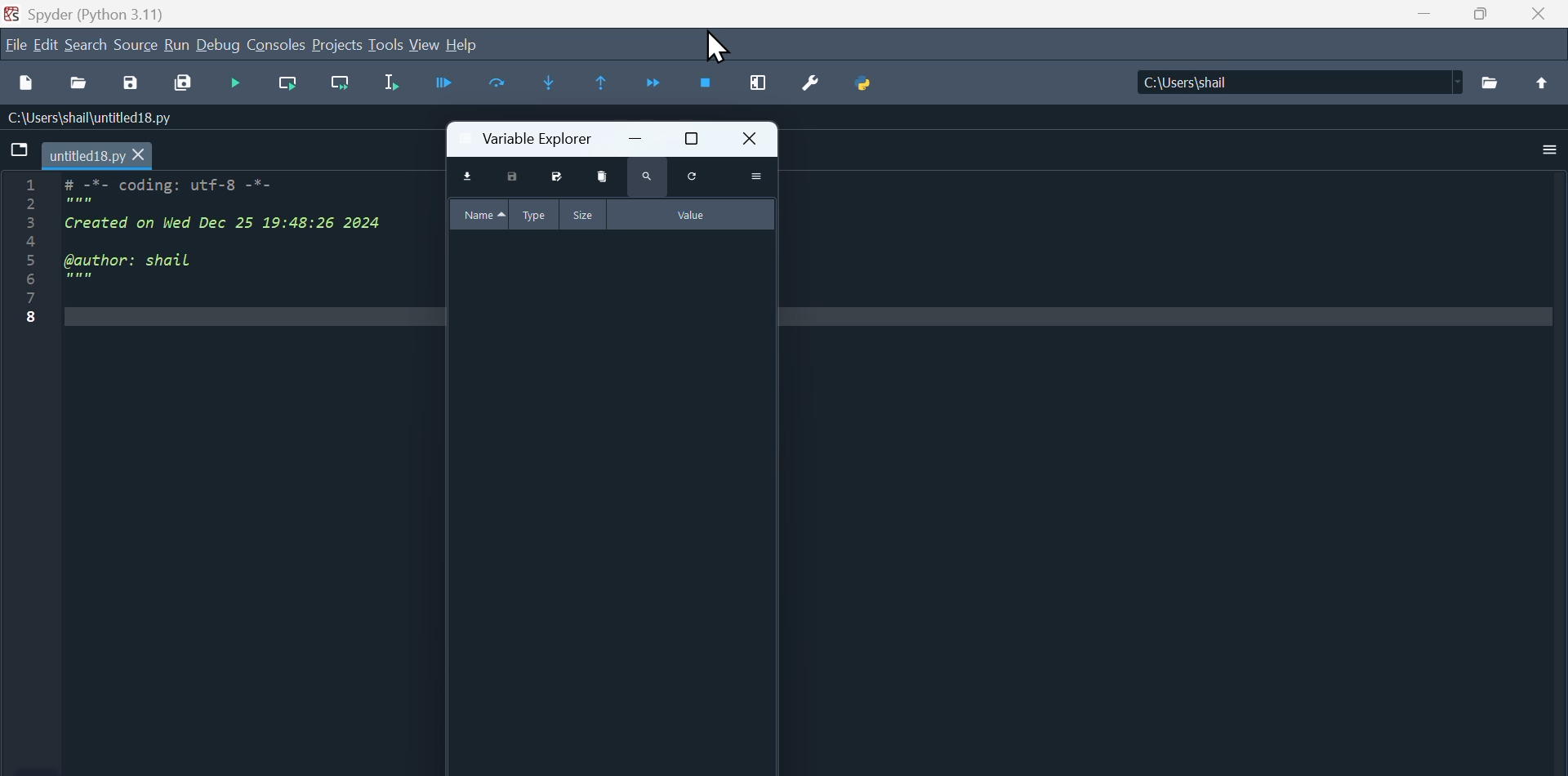 The height and width of the screenshot is (776, 1568). Describe the element at coordinates (1538, 15) in the screenshot. I see `Close` at that location.